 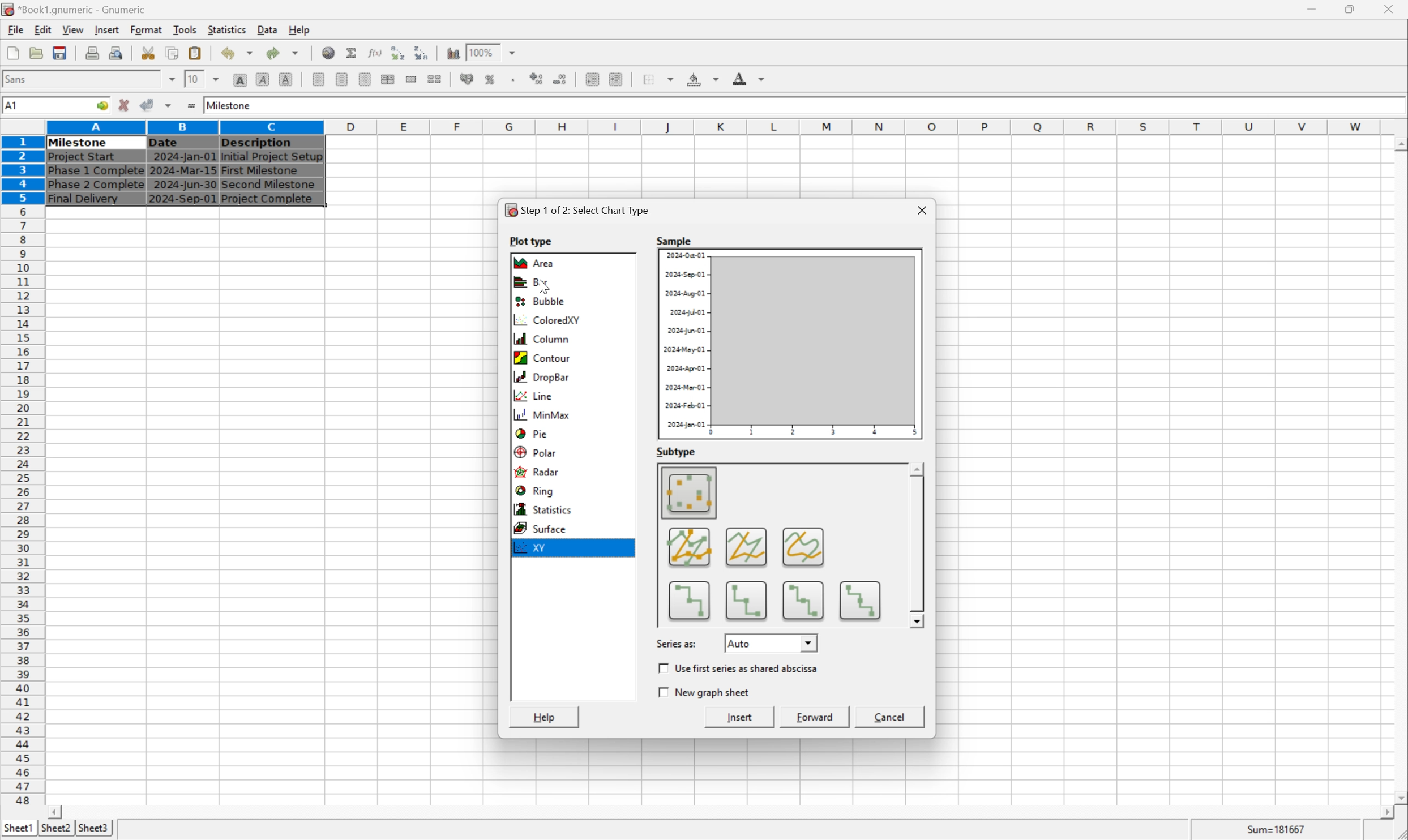 What do you see at coordinates (149, 53) in the screenshot?
I see `cut` at bounding box center [149, 53].